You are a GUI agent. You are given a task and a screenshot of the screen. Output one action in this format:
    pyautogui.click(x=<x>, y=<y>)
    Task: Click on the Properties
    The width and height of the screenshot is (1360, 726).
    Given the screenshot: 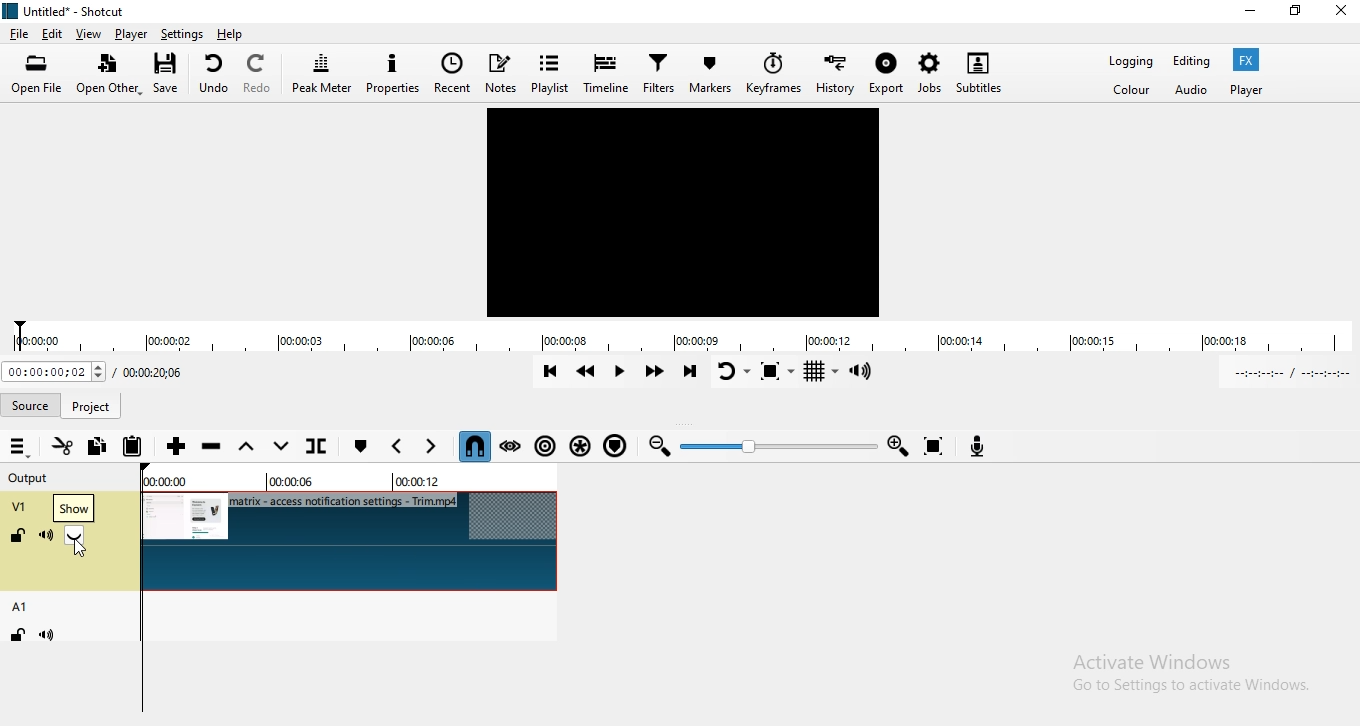 What is the action you would take?
    pyautogui.click(x=396, y=74)
    